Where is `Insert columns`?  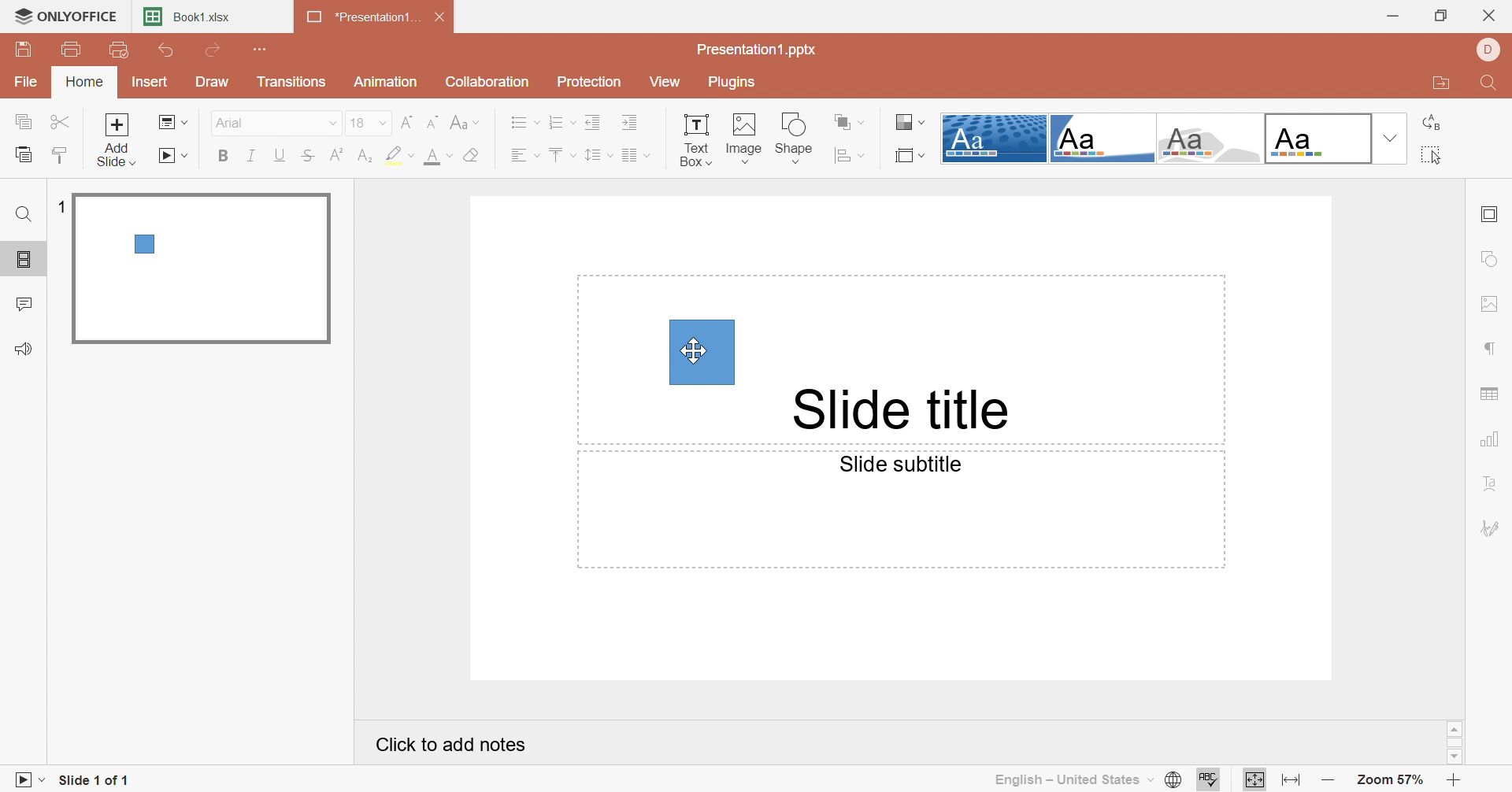
Insert columns is located at coordinates (632, 154).